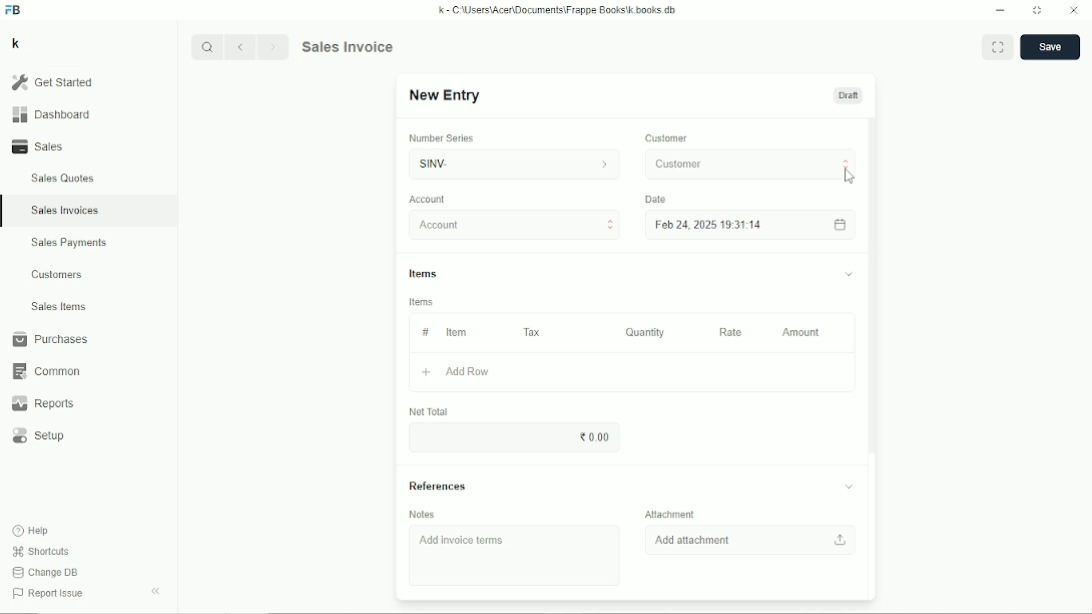  I want to click on Cursor, so click(849, 176).